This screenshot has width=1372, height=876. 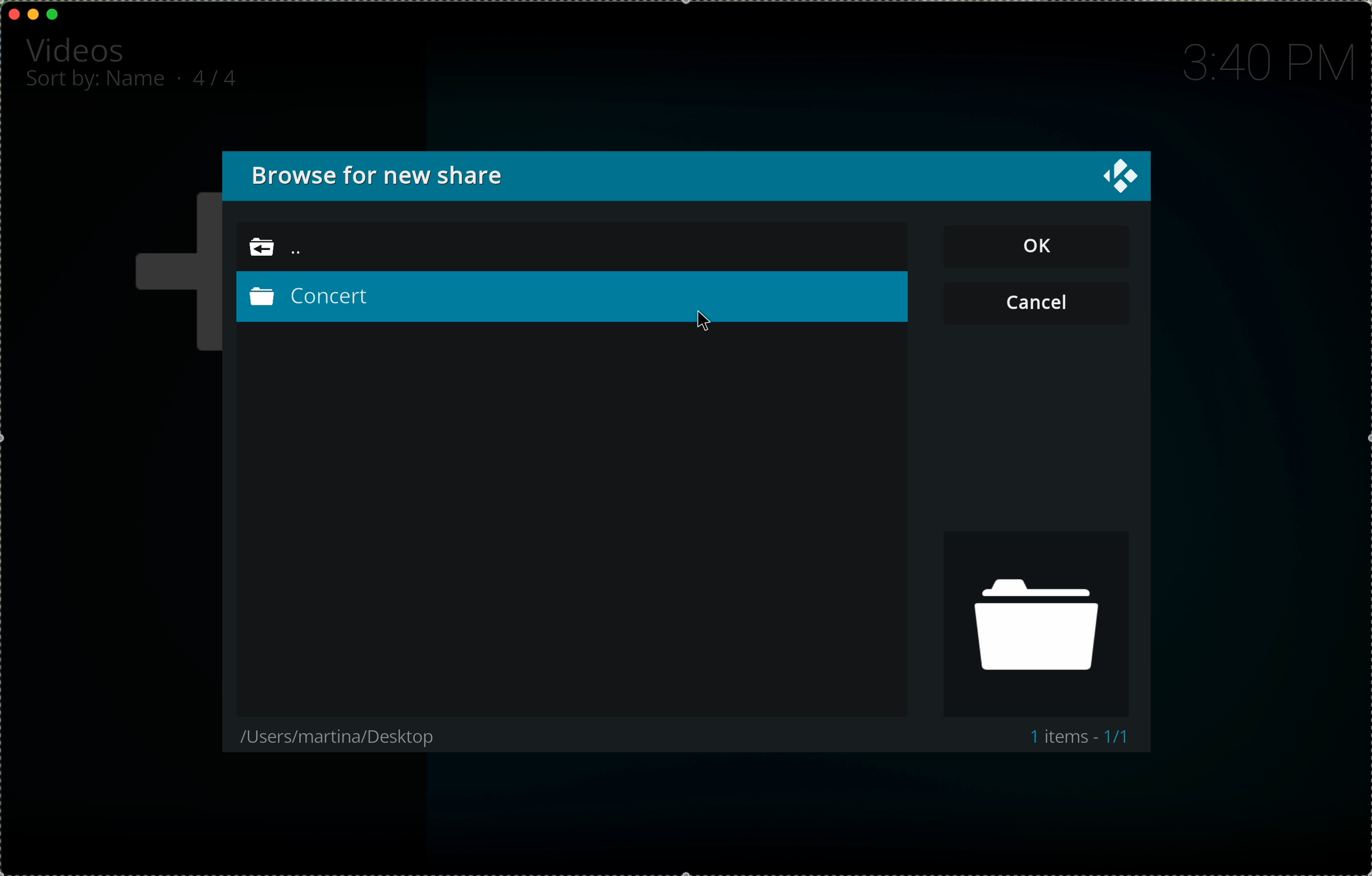 What do you see at coordinates (1265, 63) in the screenshot?
I see `time` at bounding box center [1265, 63].